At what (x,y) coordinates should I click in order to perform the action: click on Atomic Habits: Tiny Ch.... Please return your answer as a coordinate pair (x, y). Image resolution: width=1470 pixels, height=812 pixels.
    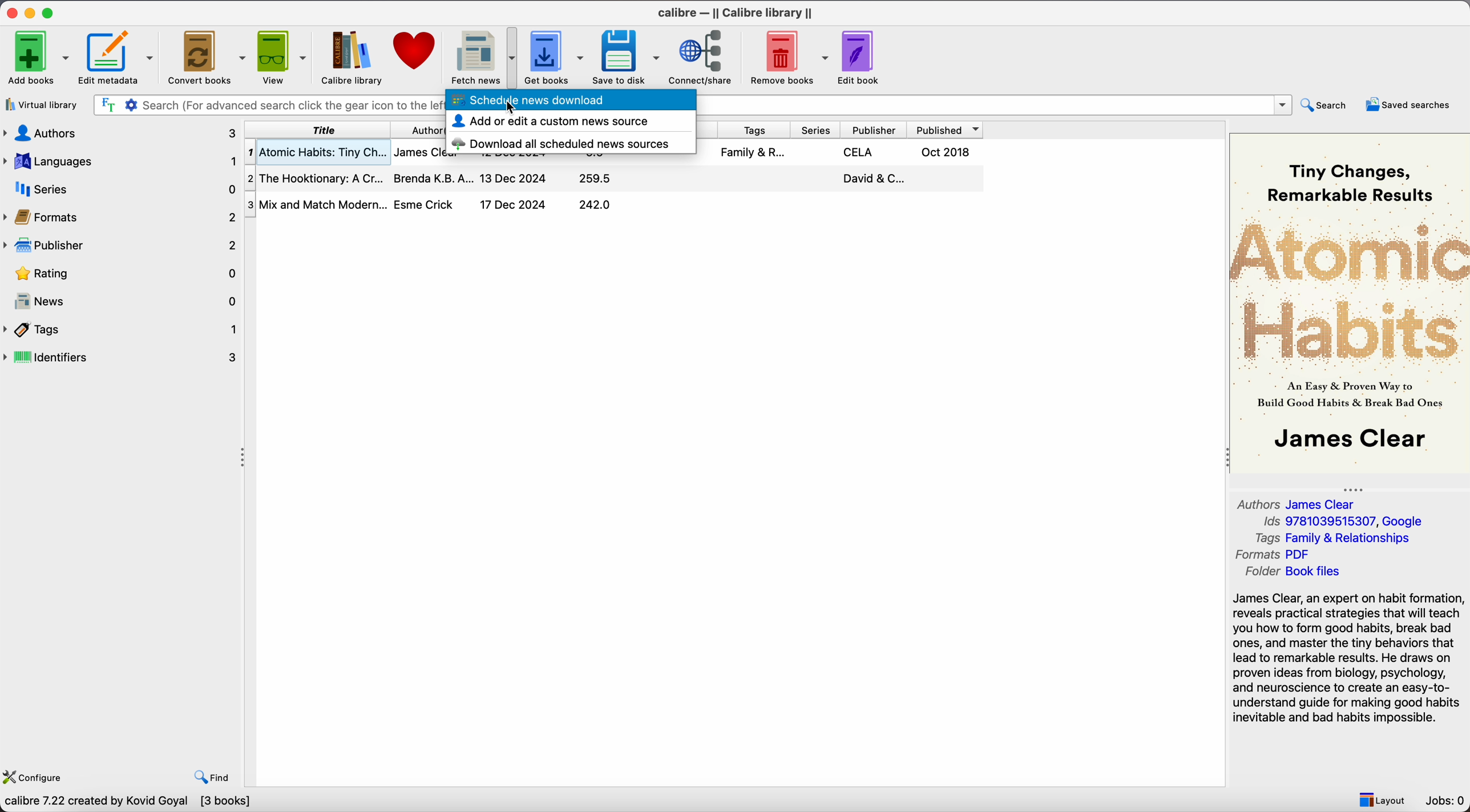
    Looking at the image, I should click on (316, 153).